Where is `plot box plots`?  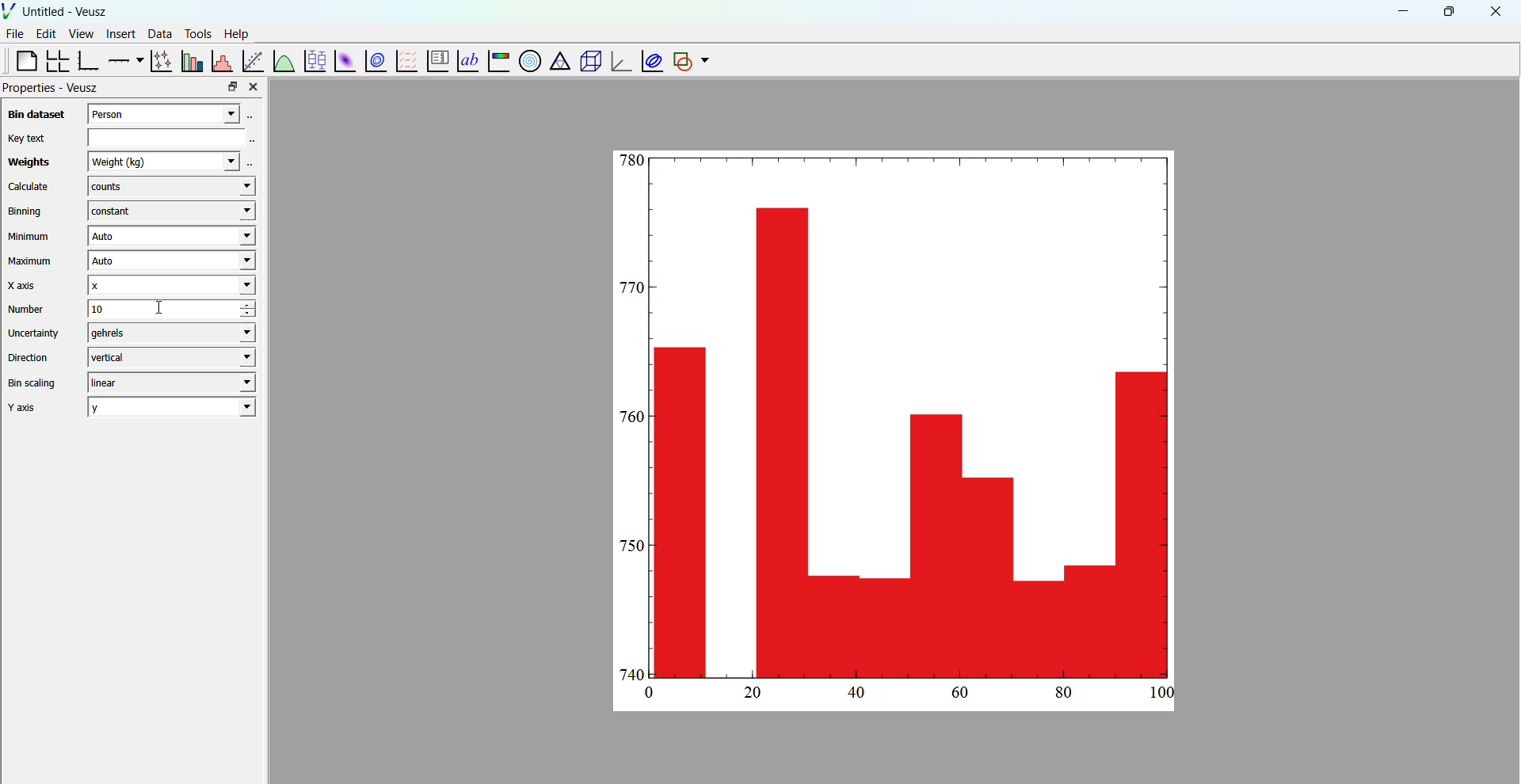
plot box plots is located at coordinates (314, 61).